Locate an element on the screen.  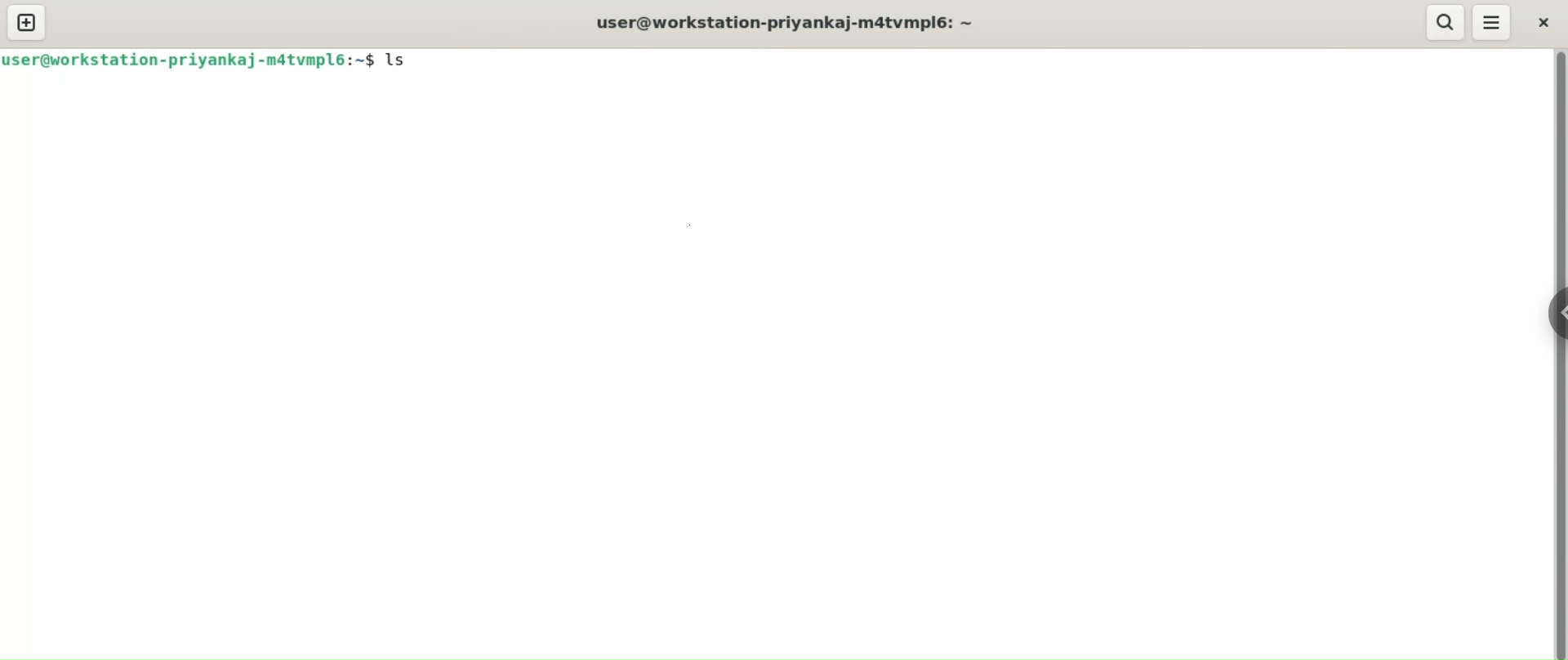
user@workstation-priyankaj-m4tvmplé: ~ is located at coordinates (788, 23).